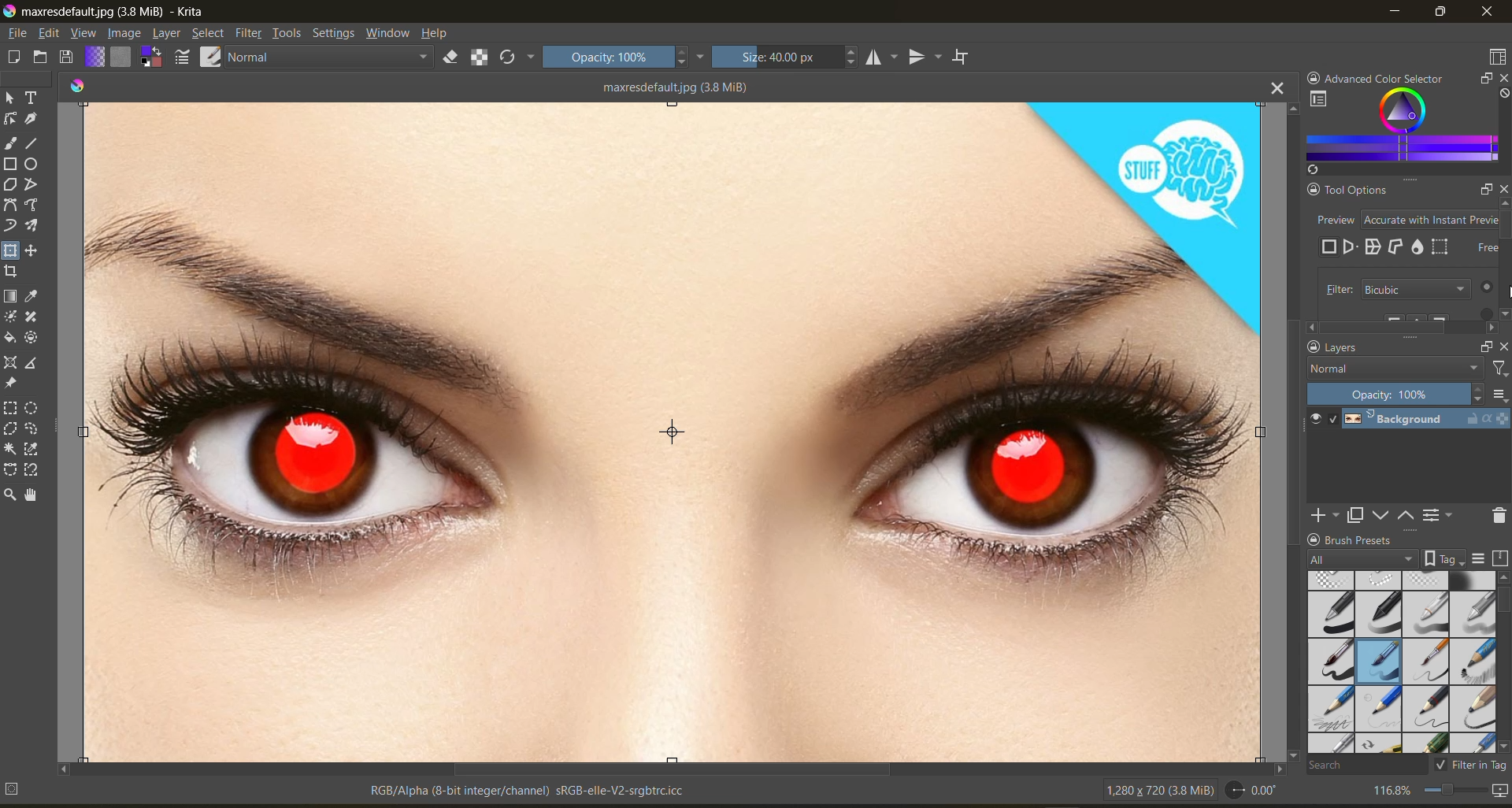 The height and width of the screenshot is (808, 1512). I want to click on help, so click(439, 34).